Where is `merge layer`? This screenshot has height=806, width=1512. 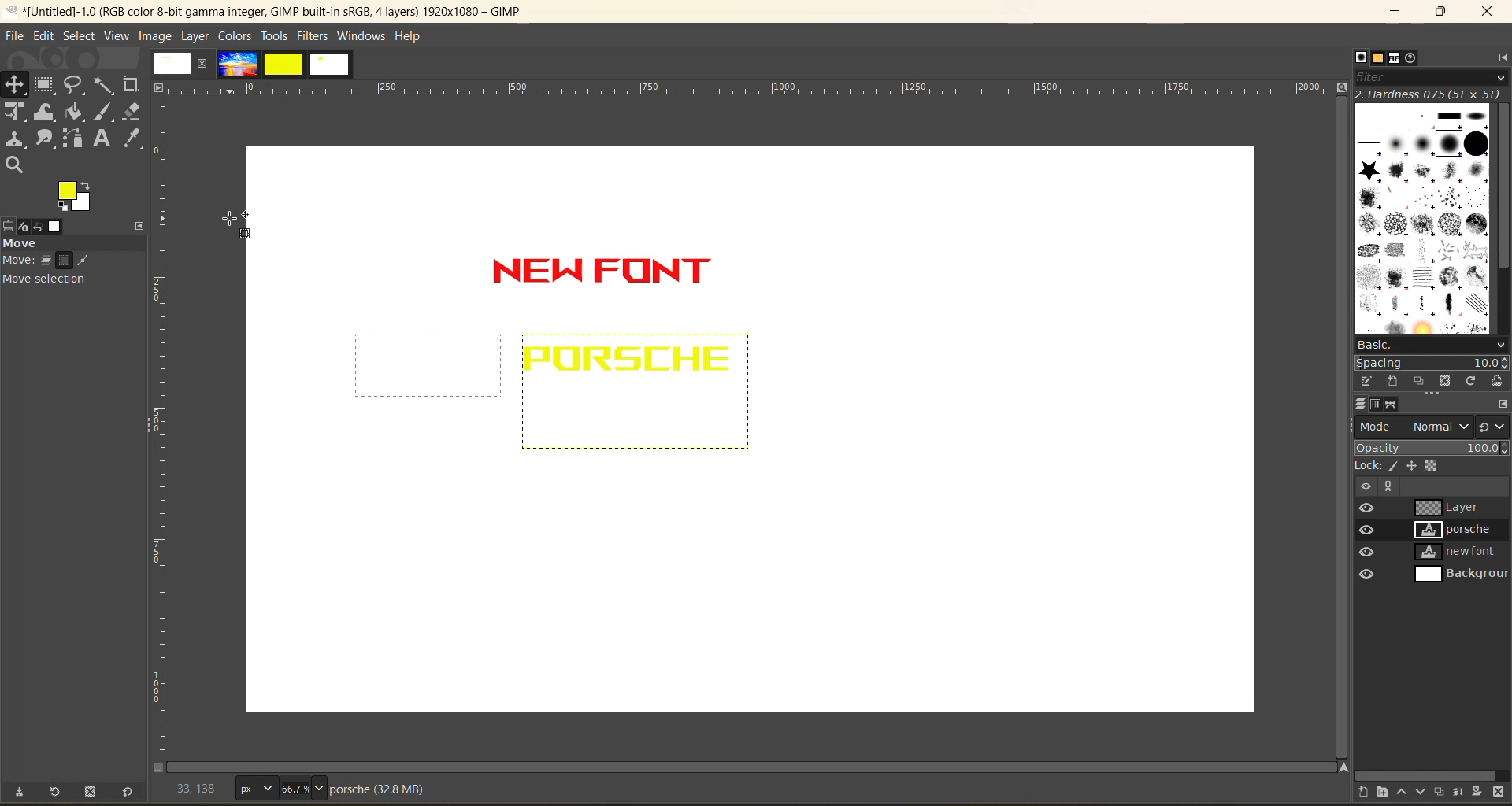
merge layer is located at coordinates (1461, 791).